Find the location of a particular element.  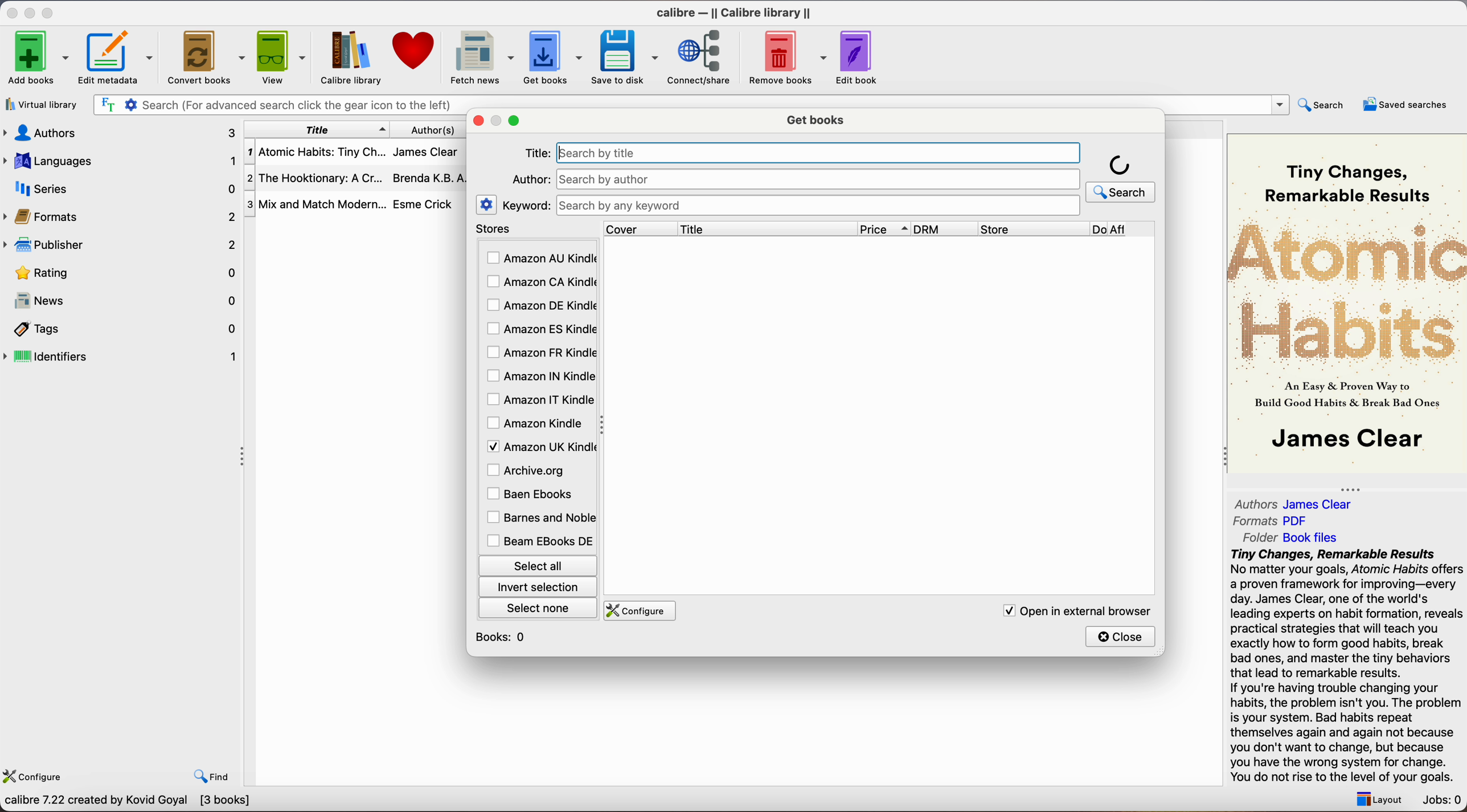

layout is located at coordinates (1376, 799).